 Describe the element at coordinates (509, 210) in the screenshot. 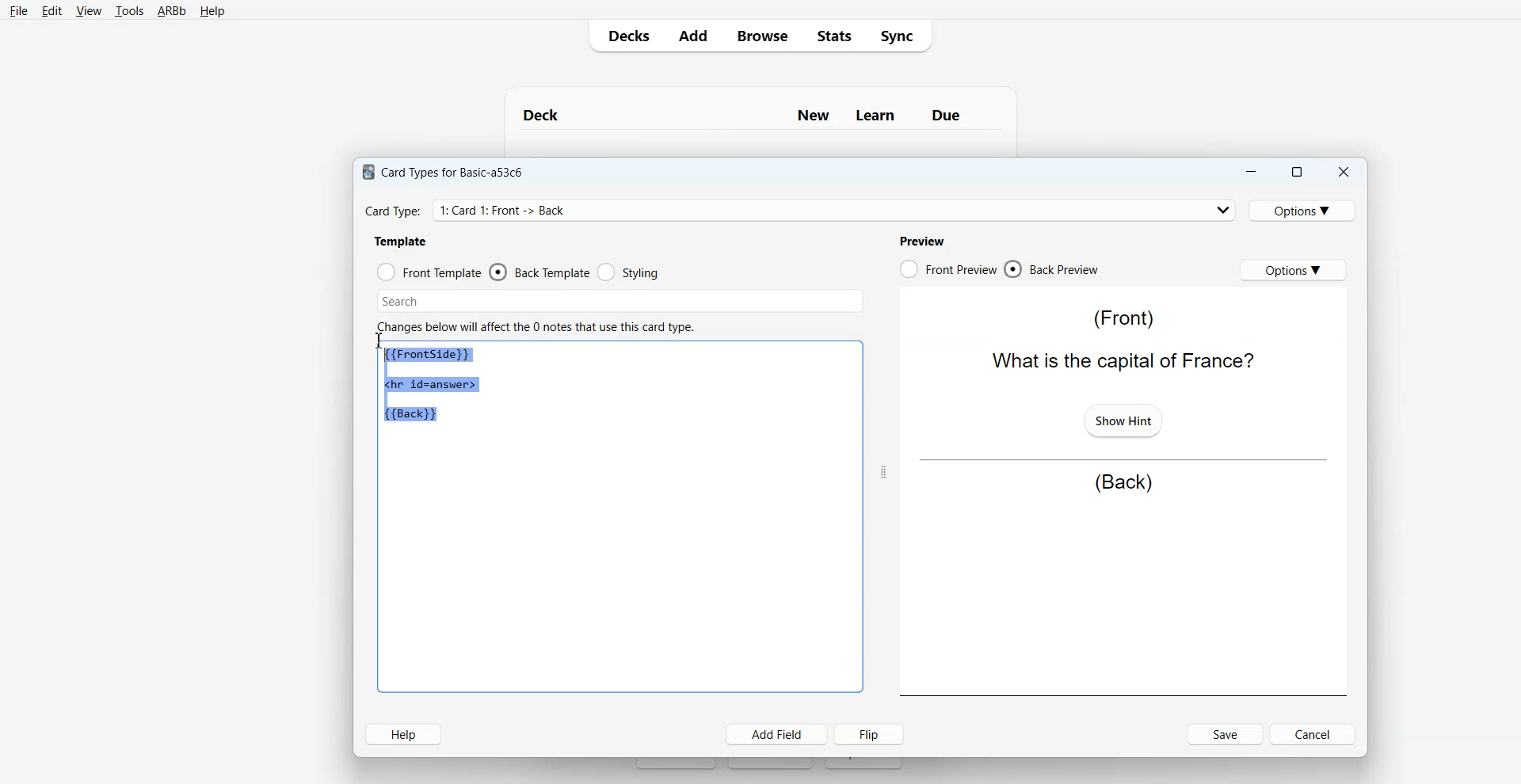

I see `Card Type: 1: Card 1: Front -> Back` at that location.